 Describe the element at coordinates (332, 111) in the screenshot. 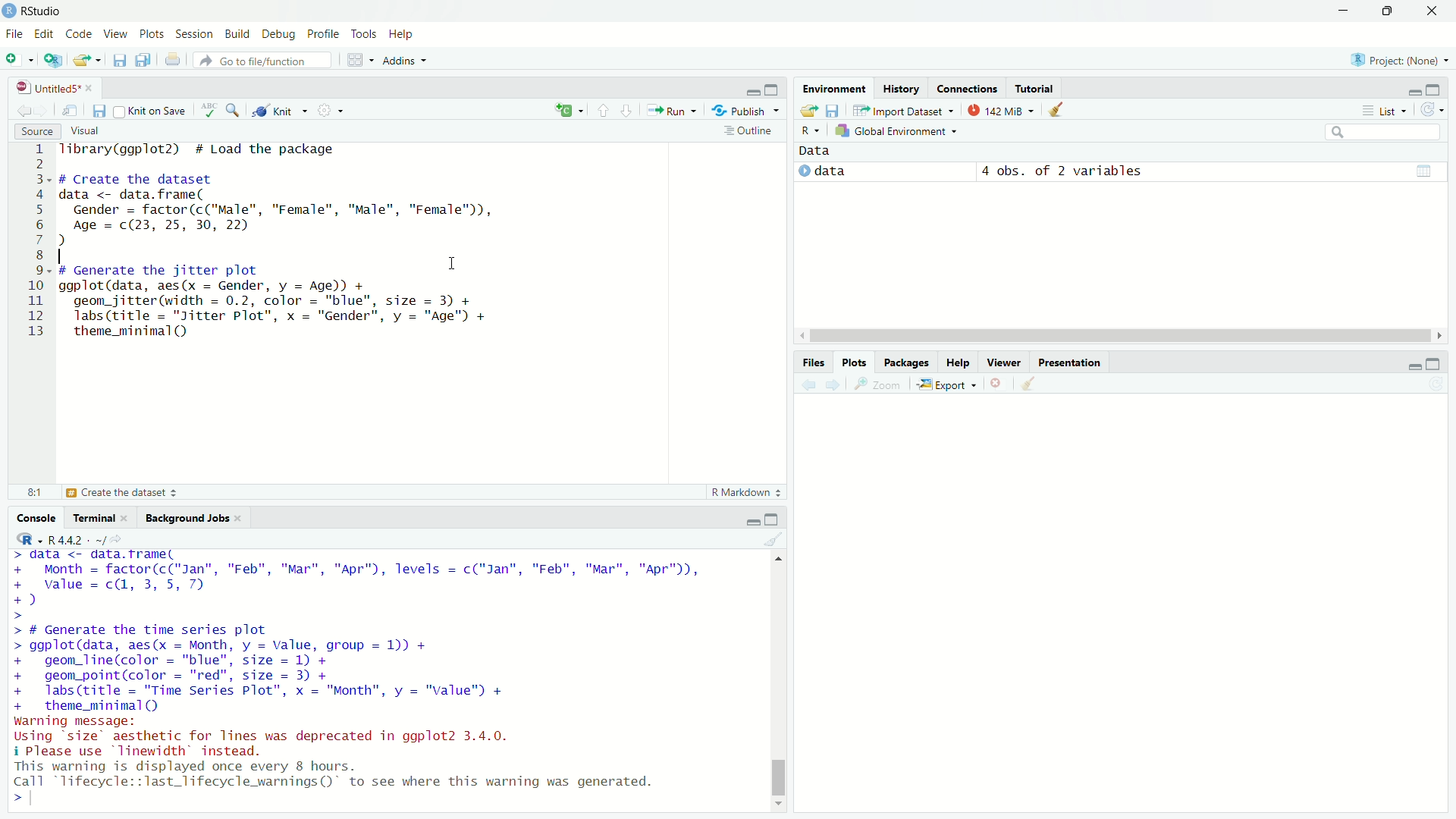

I see `settings` at that location.